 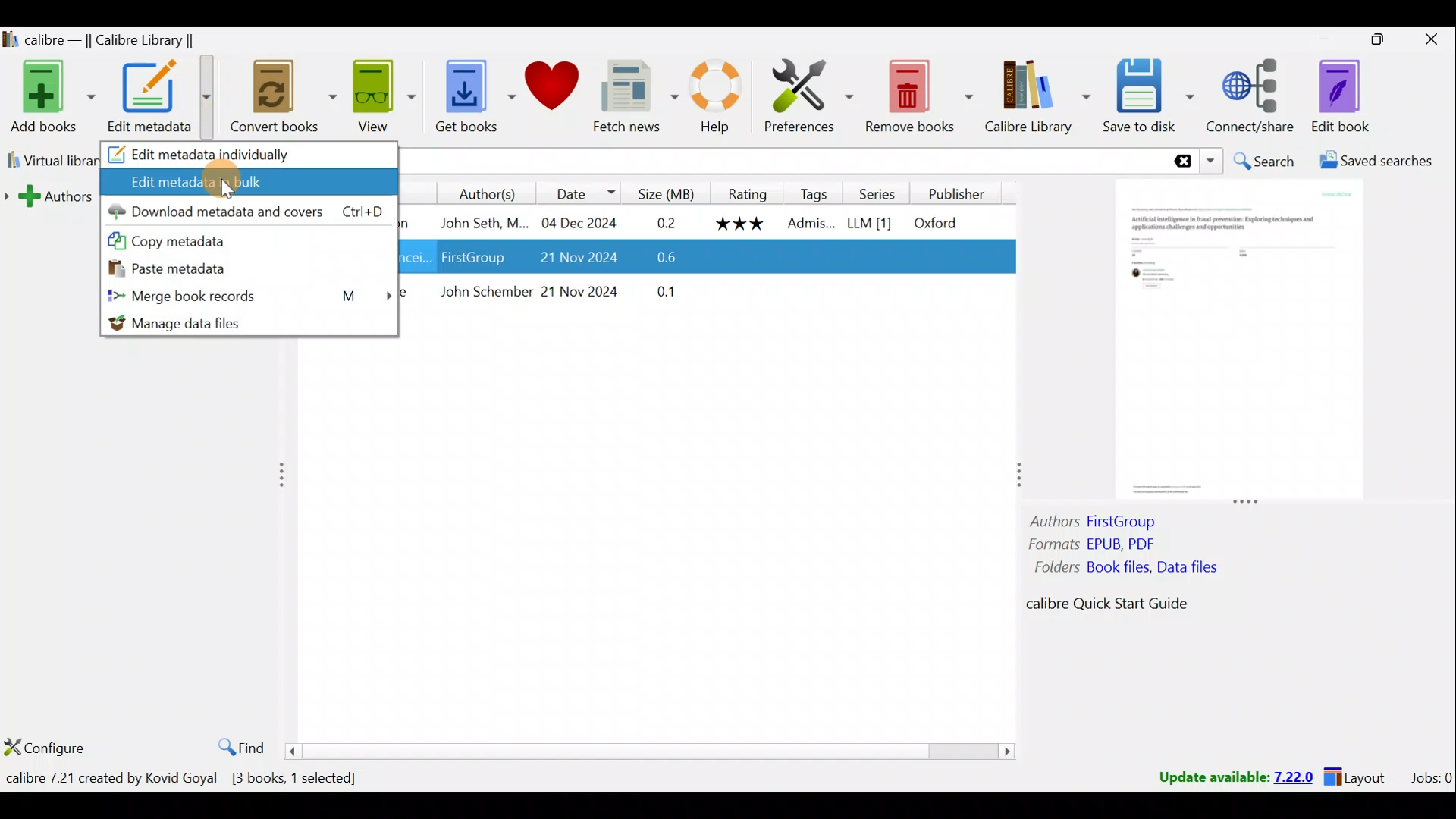 I want to click on Merge book records, so click(x=248, y=298).